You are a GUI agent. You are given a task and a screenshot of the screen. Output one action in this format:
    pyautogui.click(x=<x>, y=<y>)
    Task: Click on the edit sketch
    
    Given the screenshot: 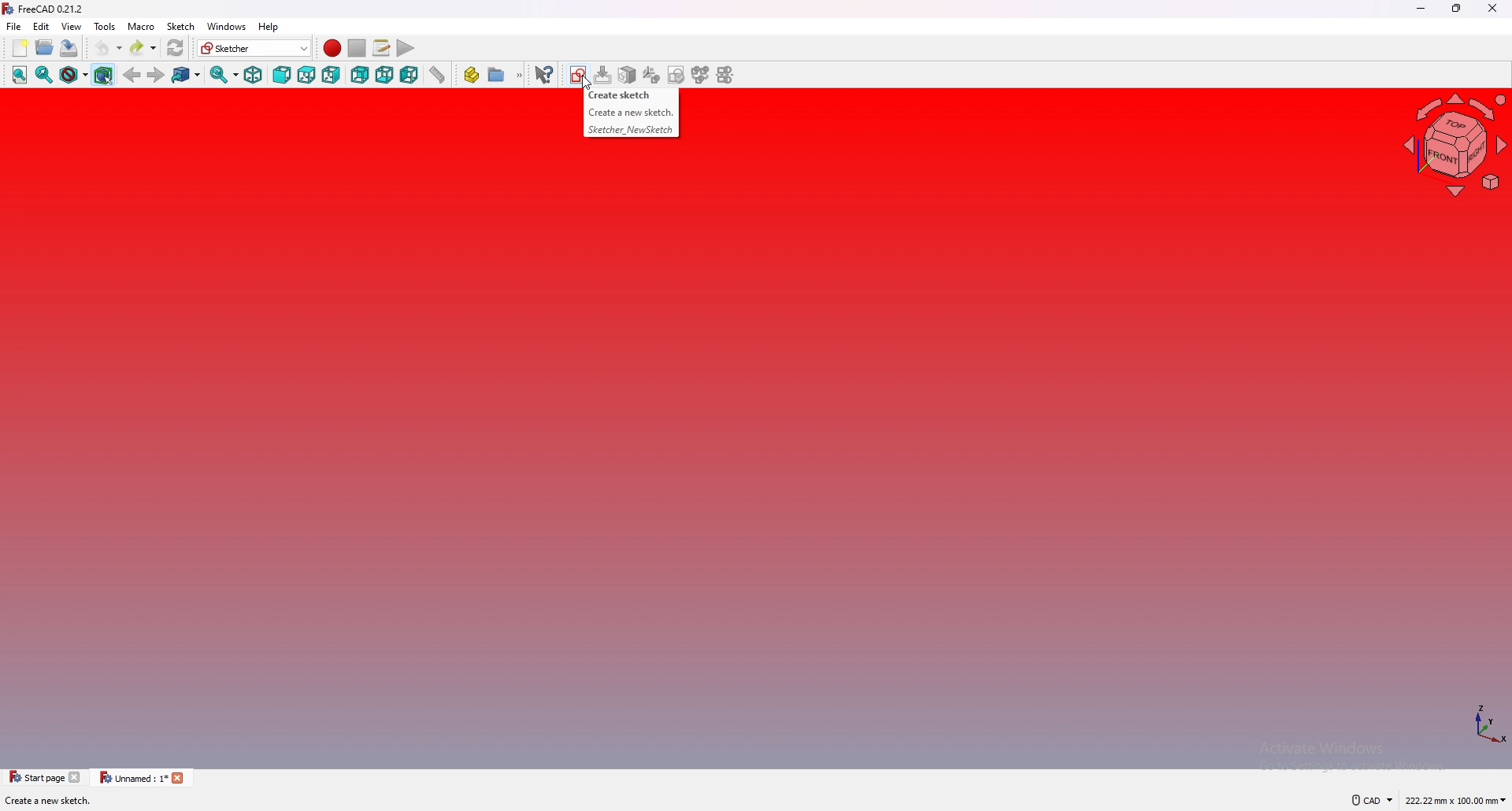 What is the action you would take?
    pyautogui.click(x=606, y=73)
    